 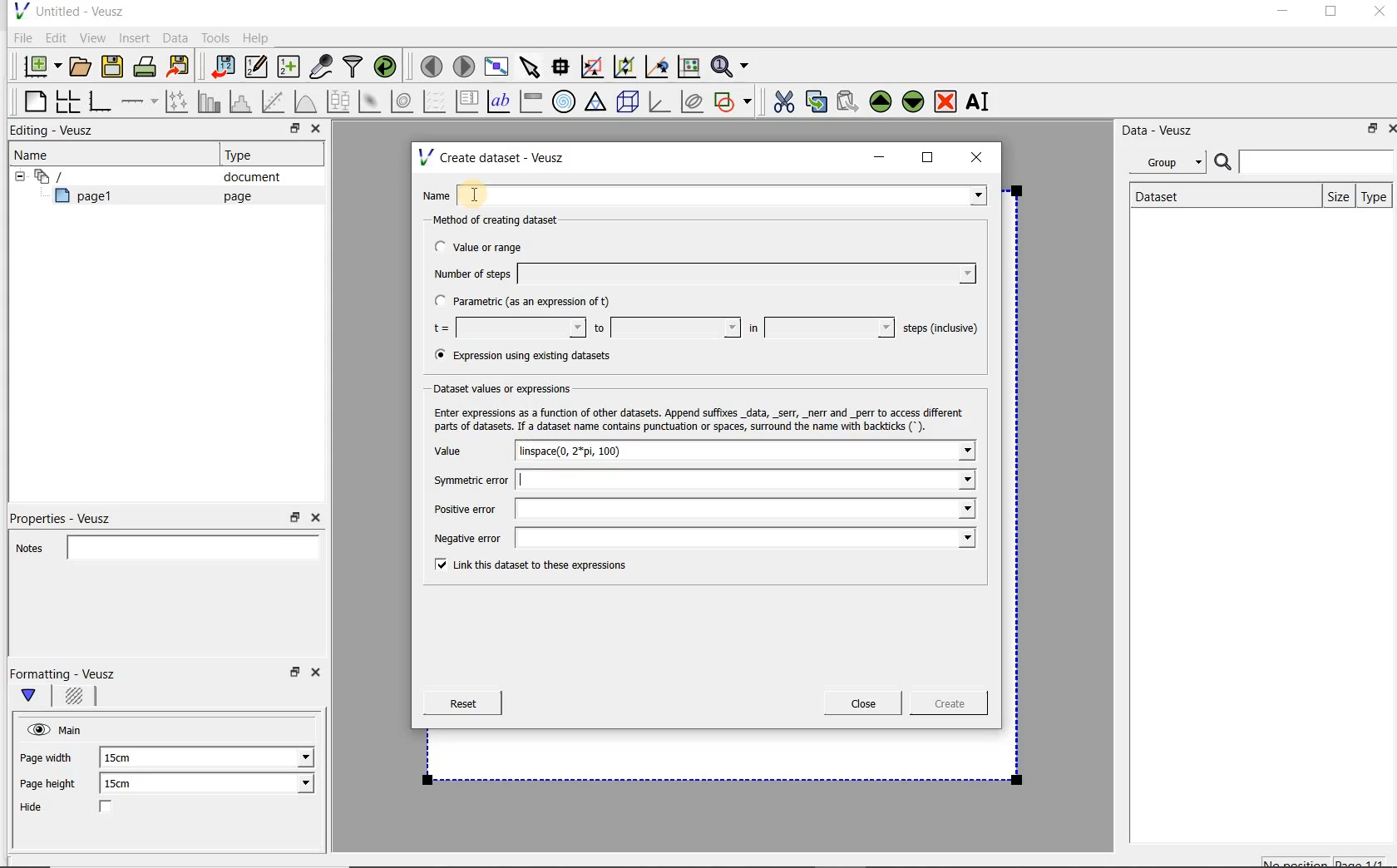 What do you see at coordinates (275, 101) in the screenshot?
I see `Fit a function to data` at bounding box center [275, 101].